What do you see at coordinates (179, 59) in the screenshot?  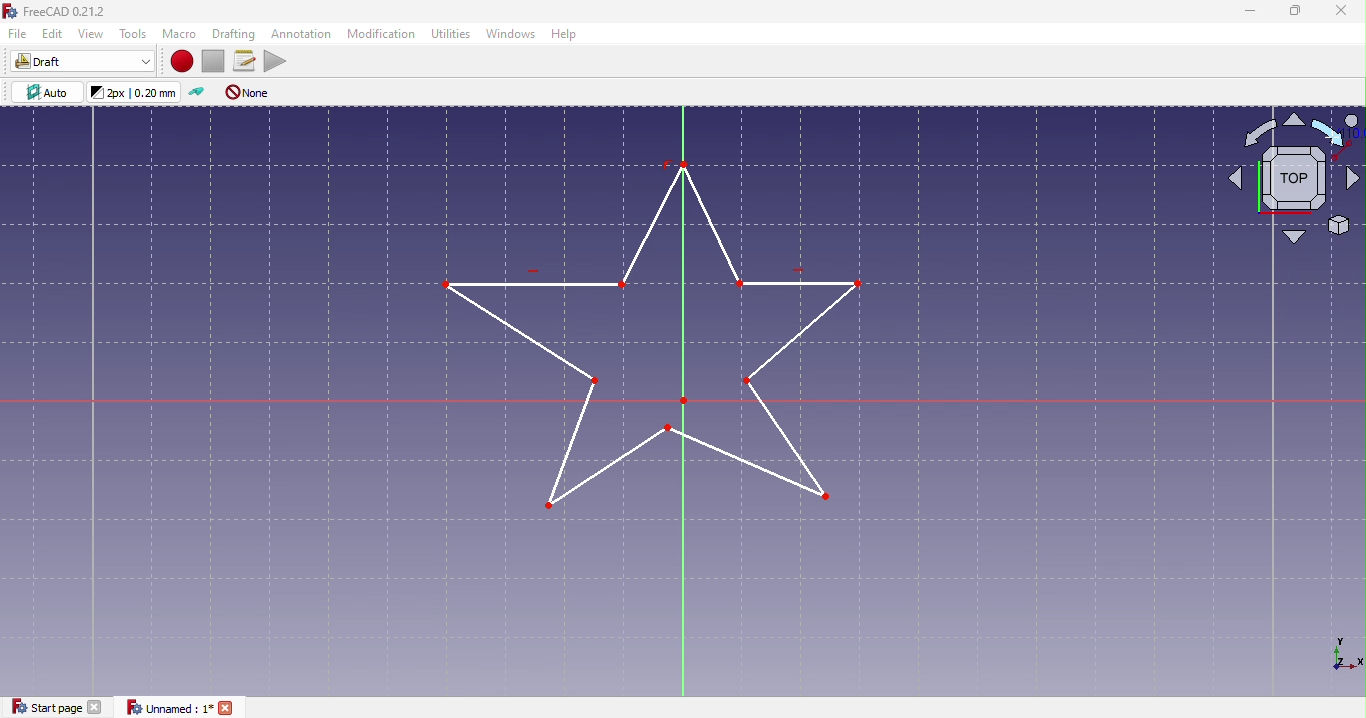 I see `Macro recording` at bounding box center [179, 59].